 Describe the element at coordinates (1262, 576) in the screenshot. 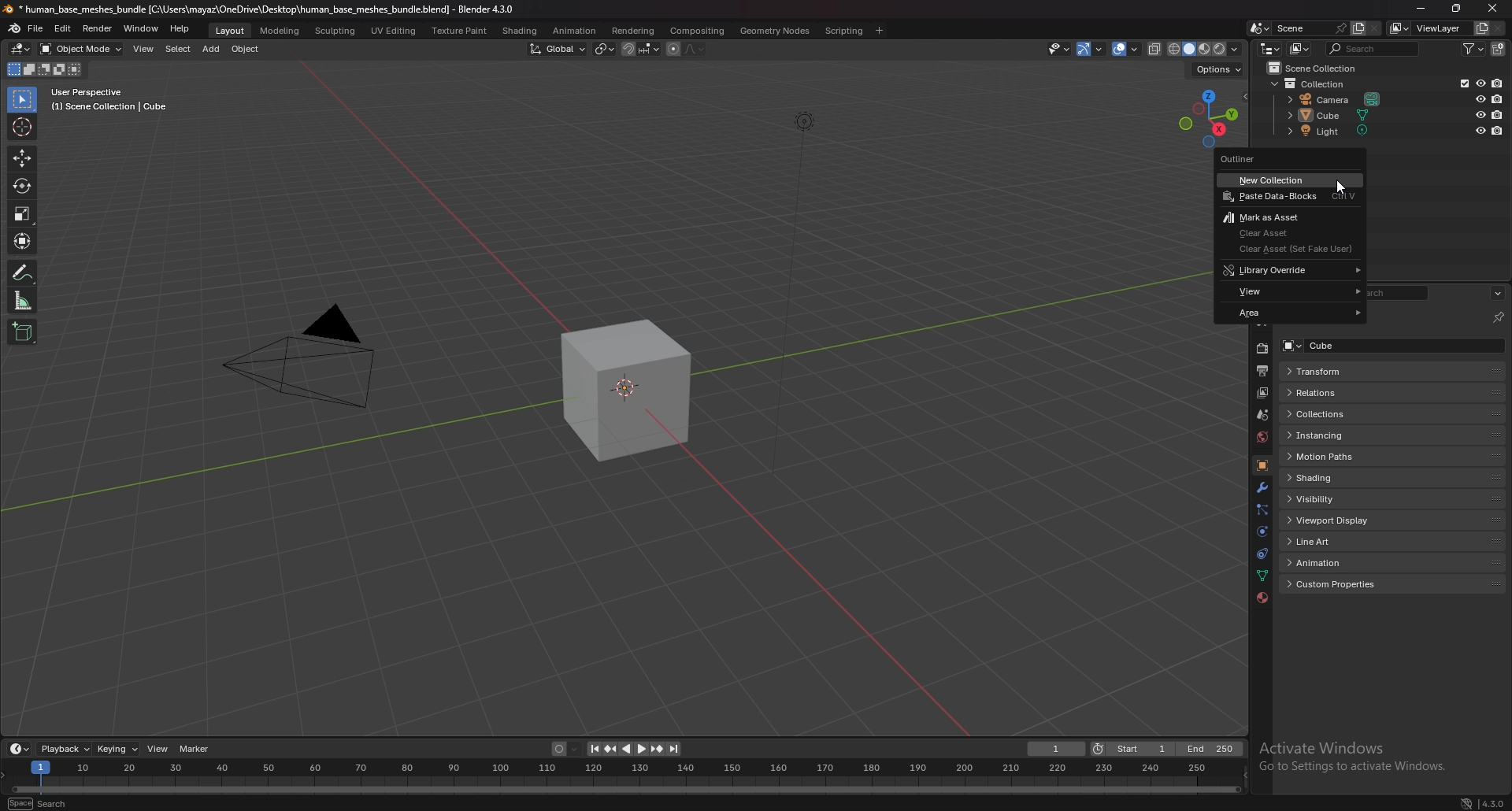

I see `data` at that location.